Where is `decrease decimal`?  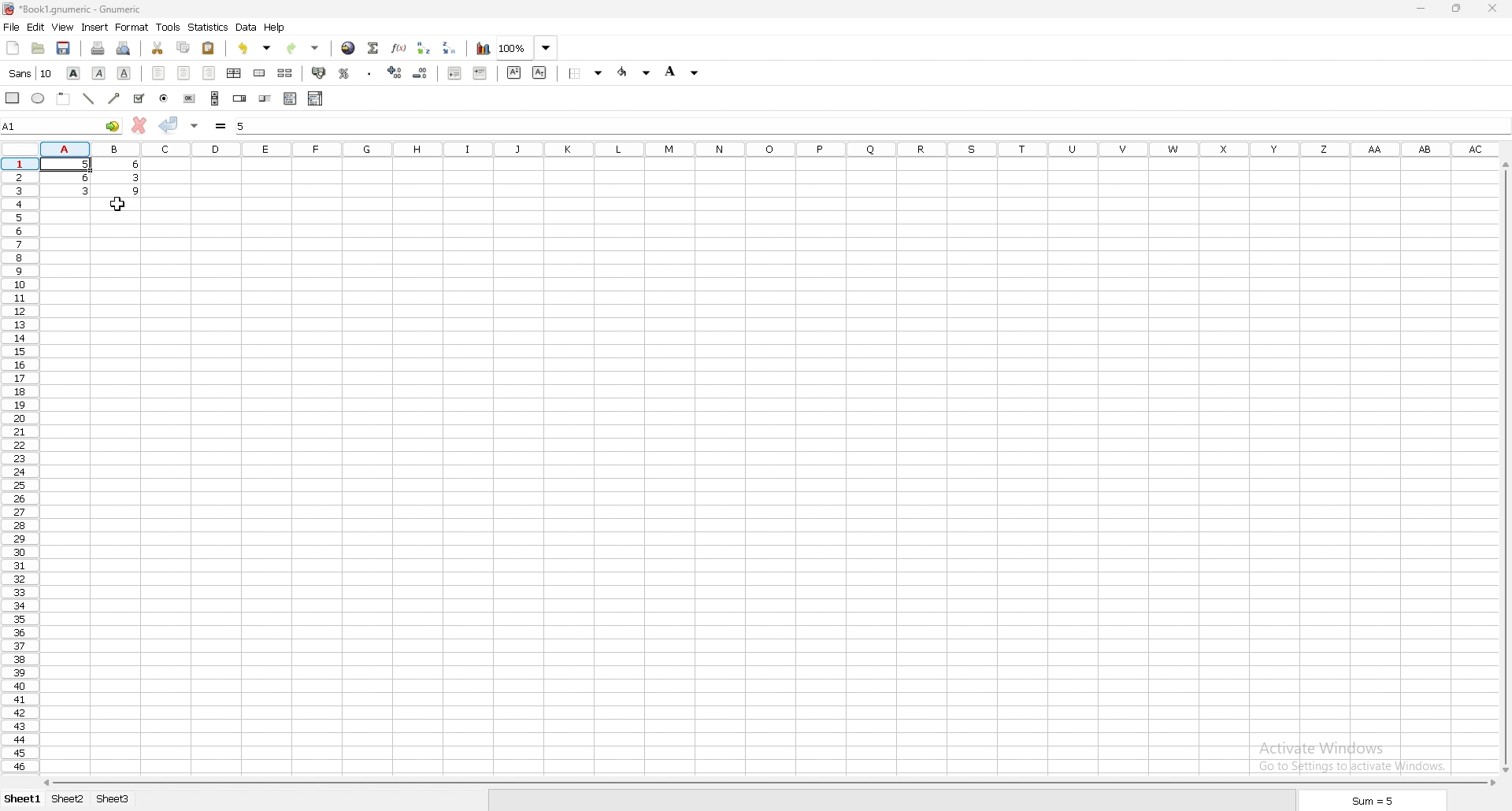 decrease decimal is located at coordinates (421, 72).